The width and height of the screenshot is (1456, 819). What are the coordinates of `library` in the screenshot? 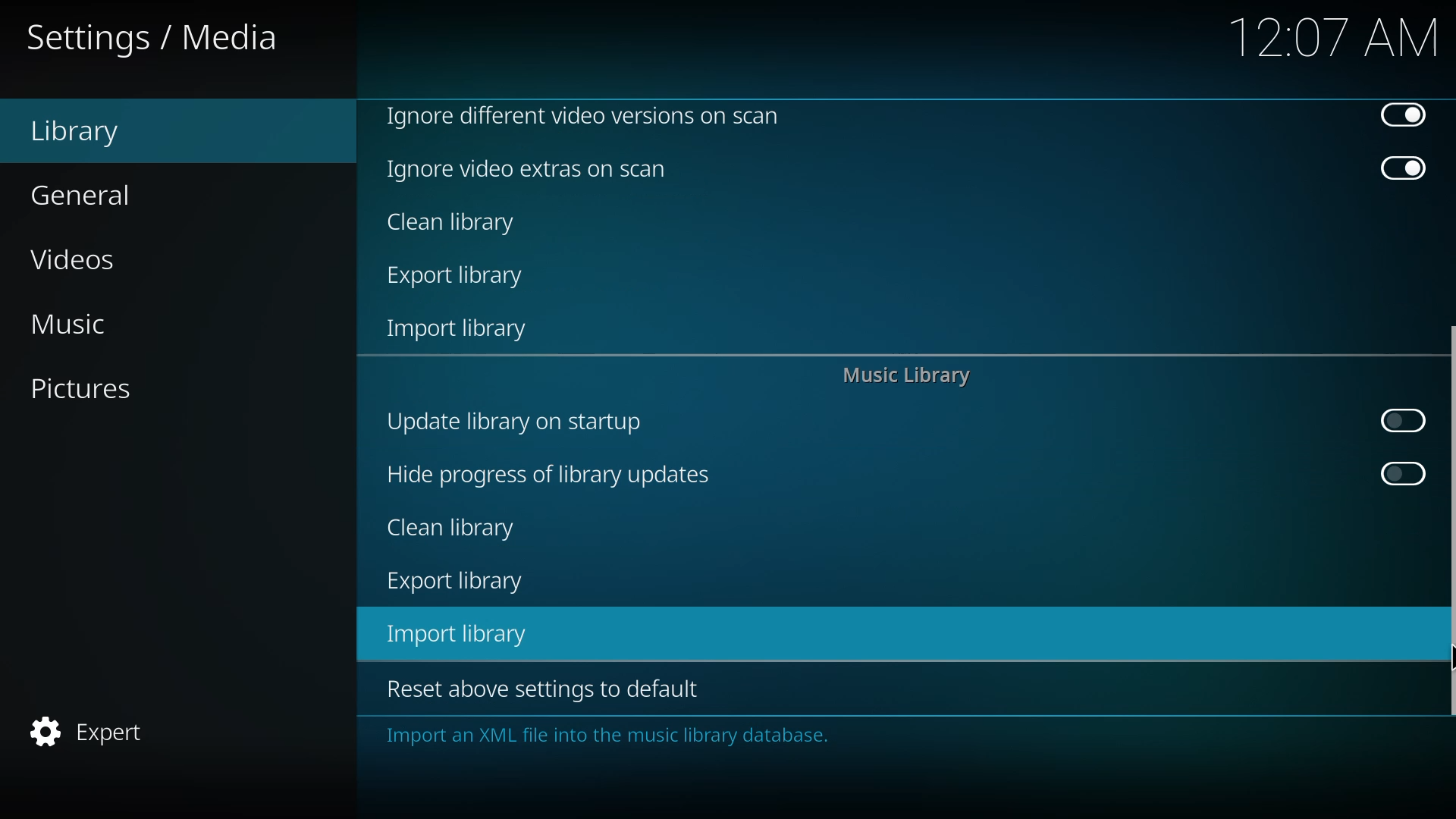 It's located at (75, 133).